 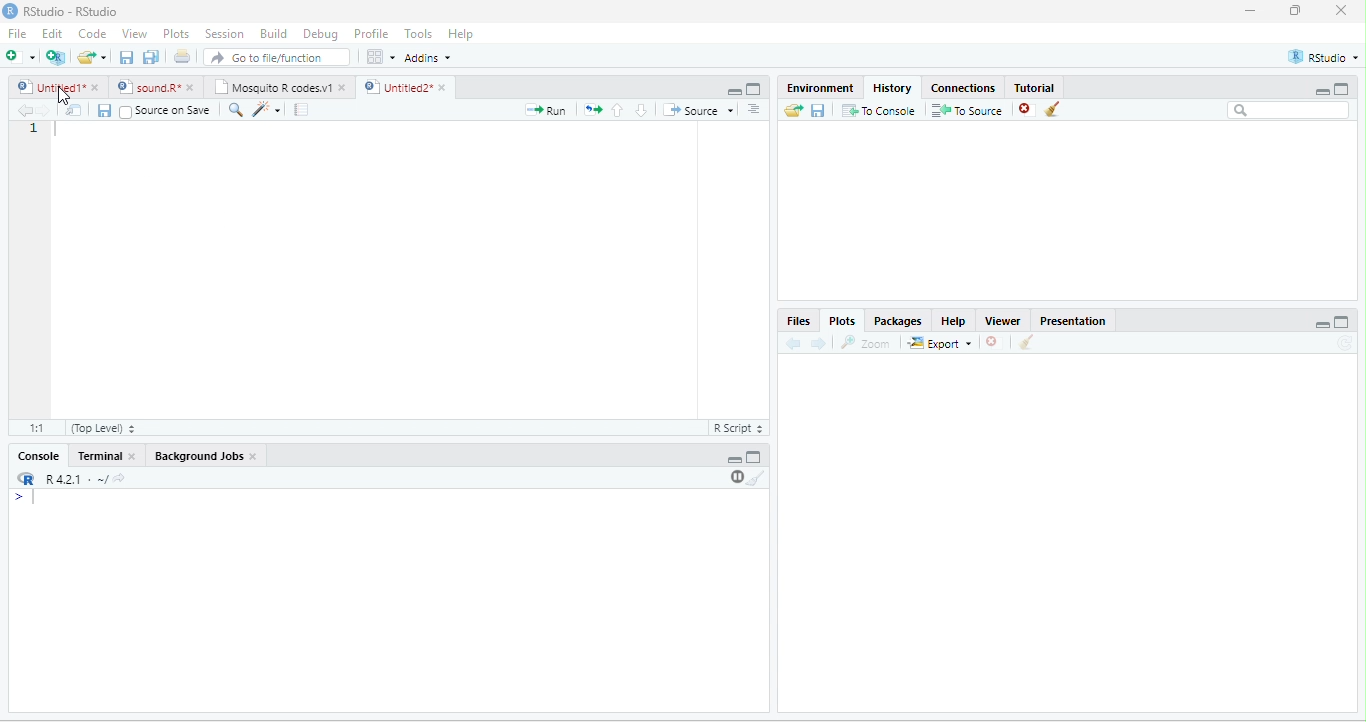 I want to click on search, so click(x=234, y=110).